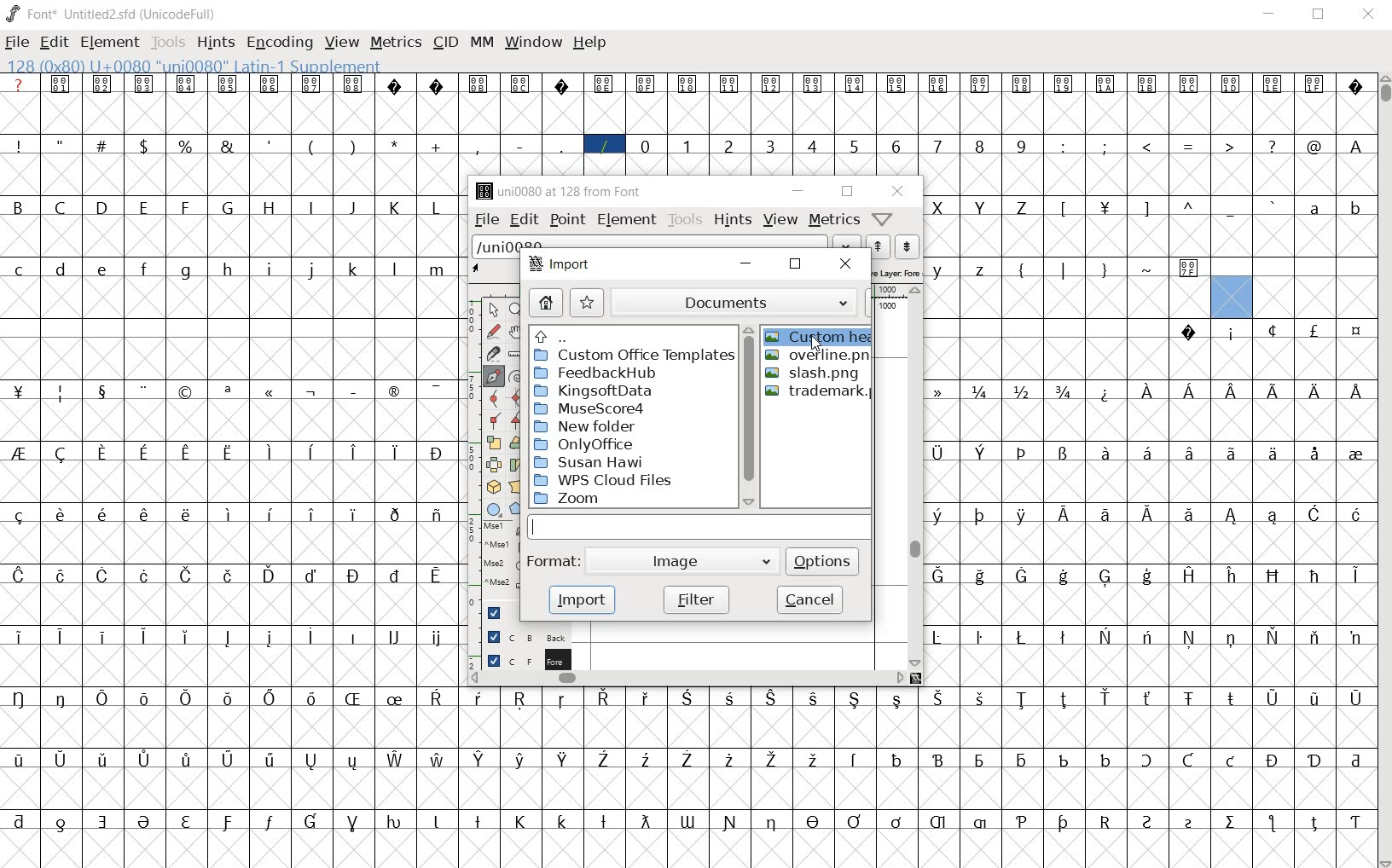 This screenshot has width=1392, height=868. What do you see at coordinates (854, 148) in the screenshot?
I see `glyph` at bounding box center [854, 148].